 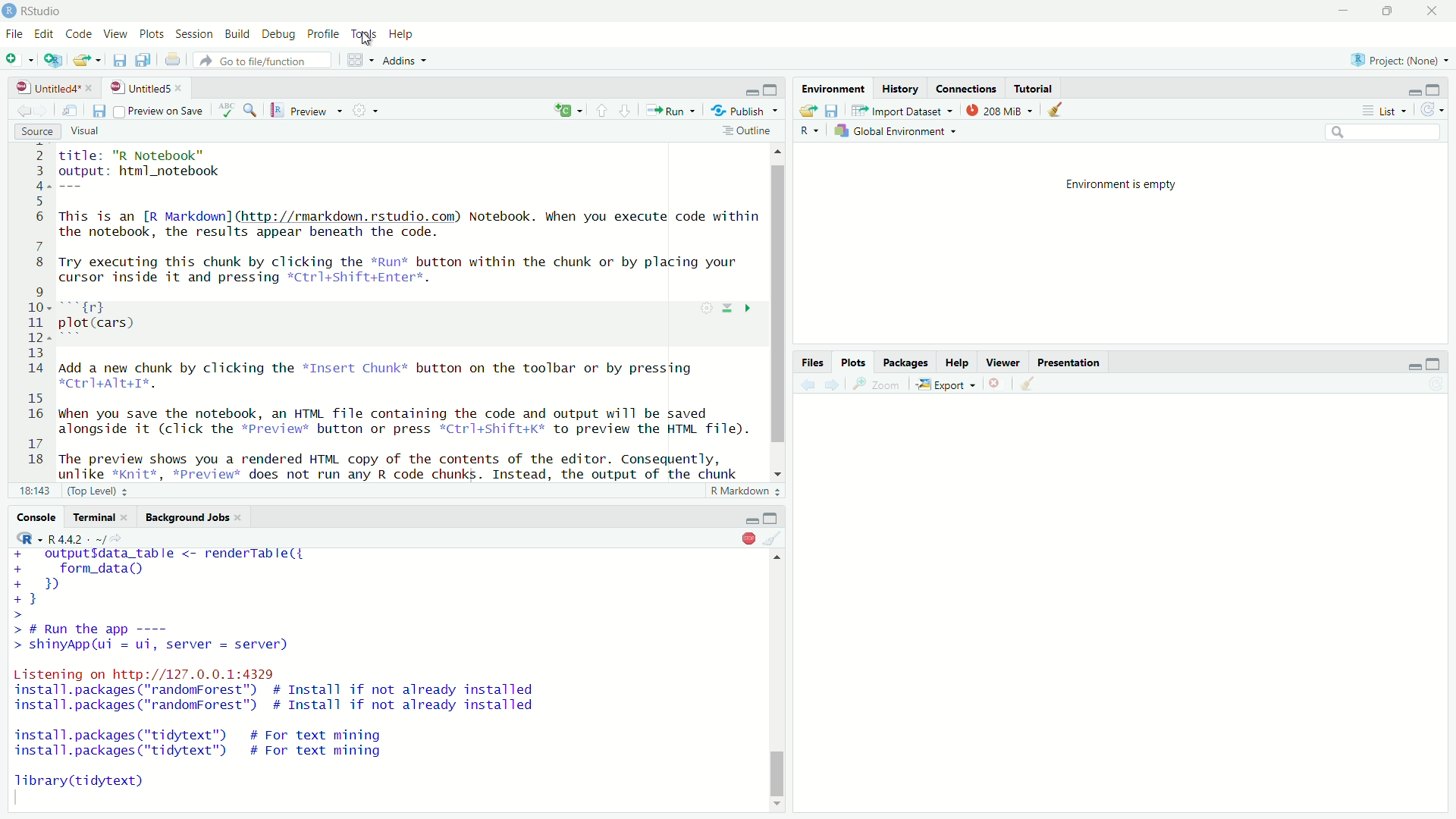 What do you see at coordinates (172, 60) in the screenshot?
I see `print the current file` at bounding box center [172, 60].